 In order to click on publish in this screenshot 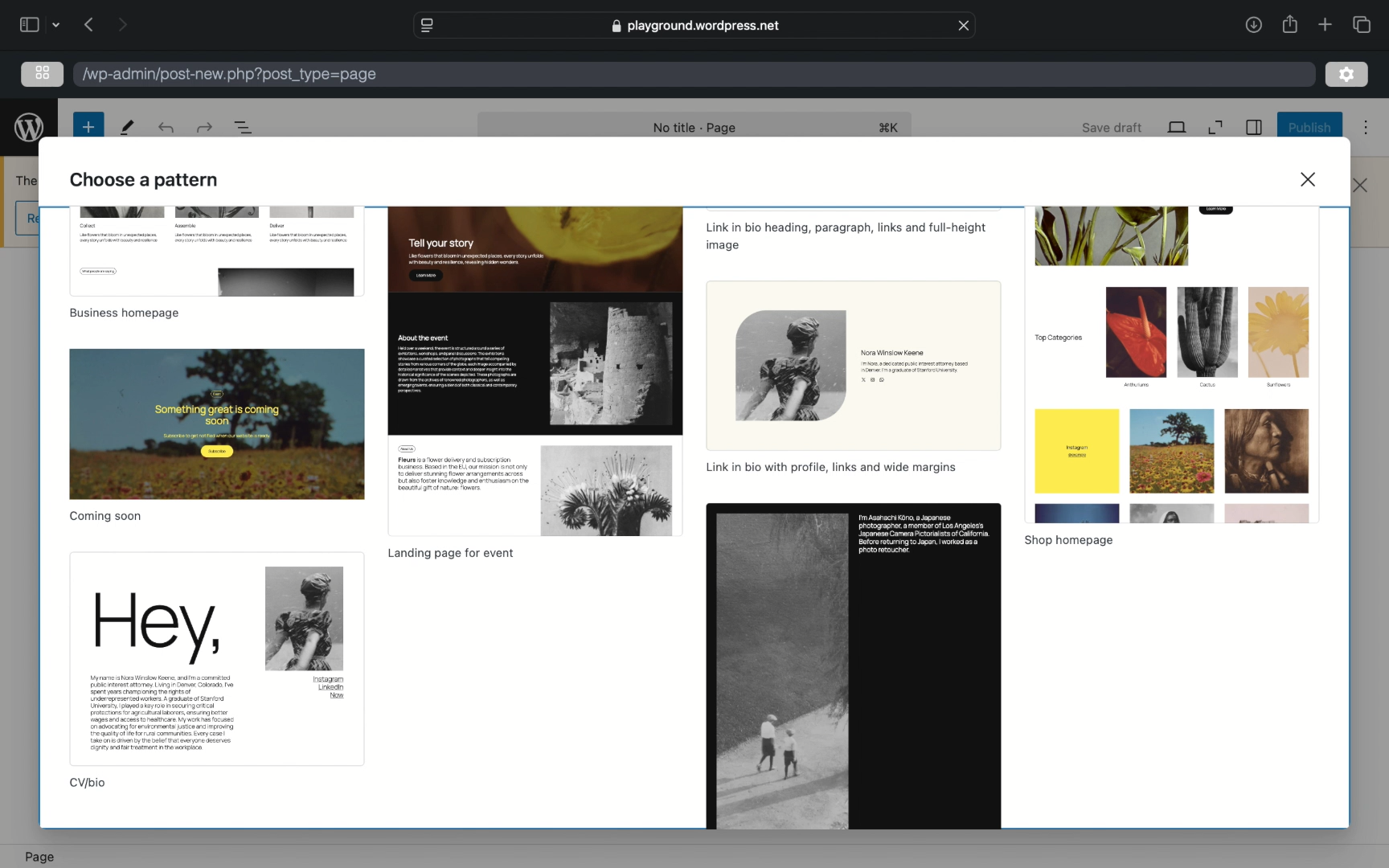, I will do `click(1308, 127)`.